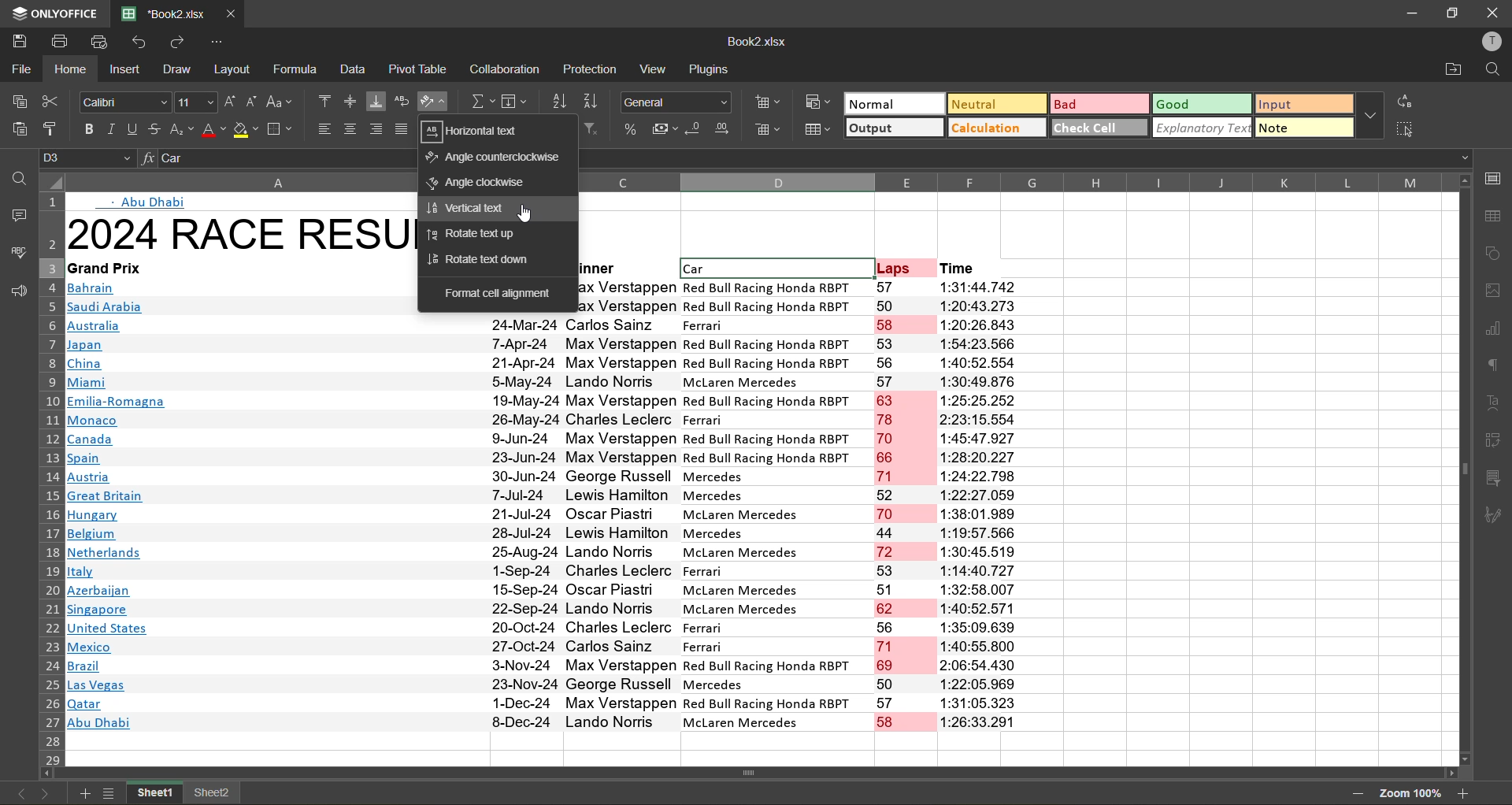 The width and height of the screenshot is (1512, 805). Describe the element at coordinates (256, 101) in the screenshot. I see `decrement size` at that location.